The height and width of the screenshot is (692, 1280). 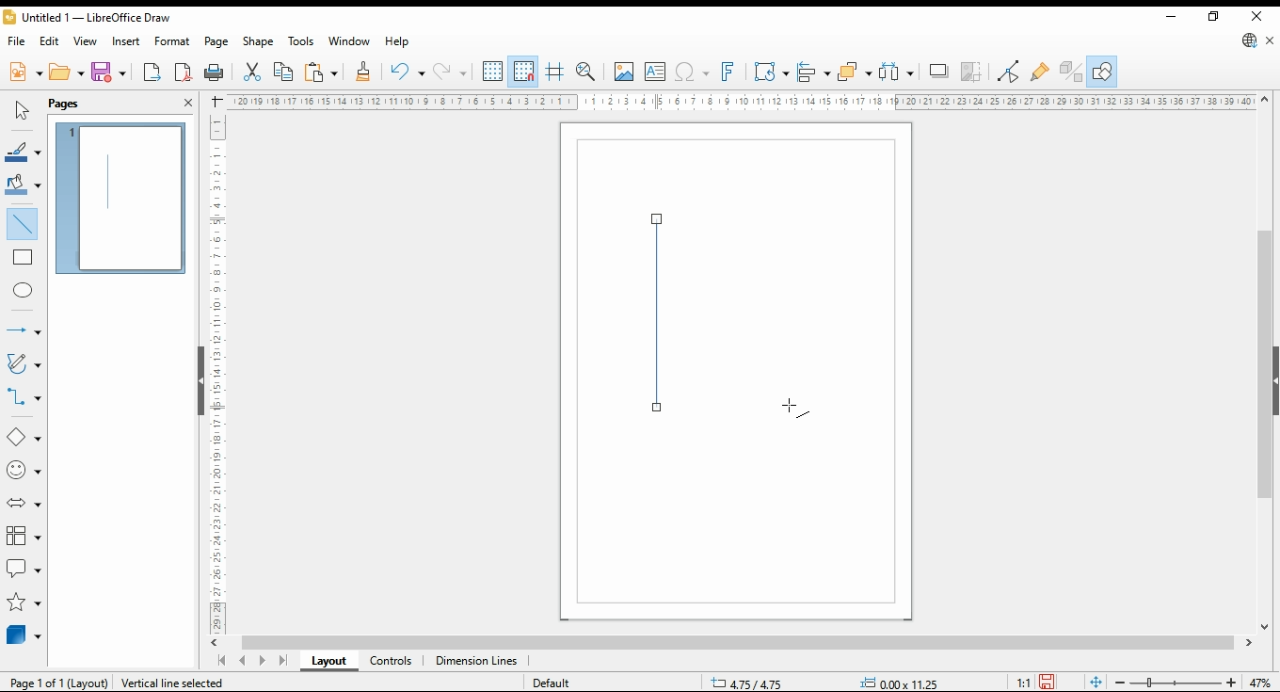 What do you see at coordinates (221, 661) in the screenshot?
I see `first page` at bounding box center [221, 661].